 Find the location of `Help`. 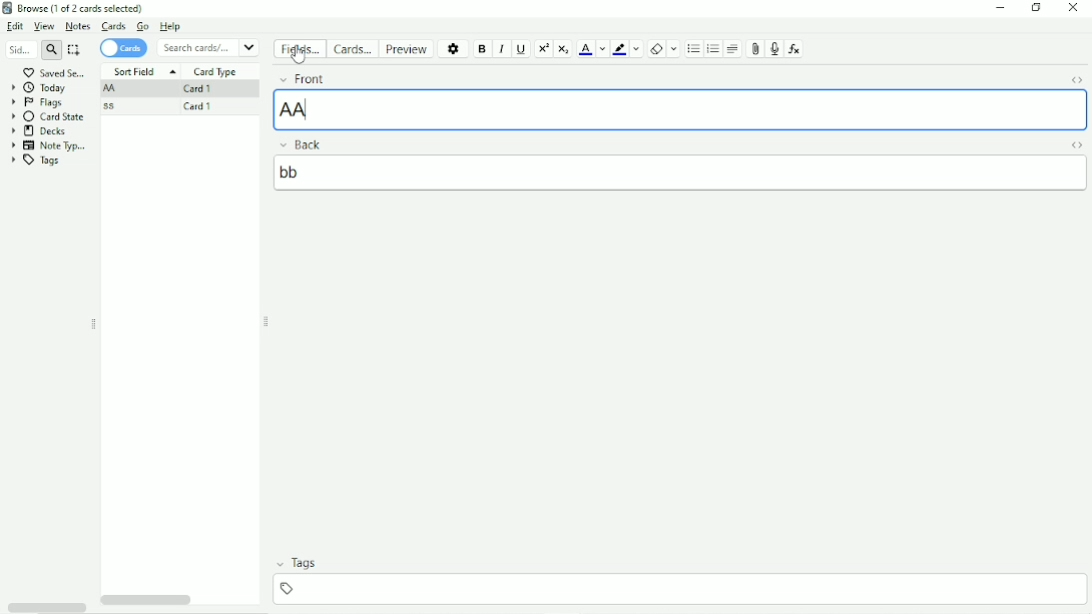

Help is located at coordinates (176, 27).